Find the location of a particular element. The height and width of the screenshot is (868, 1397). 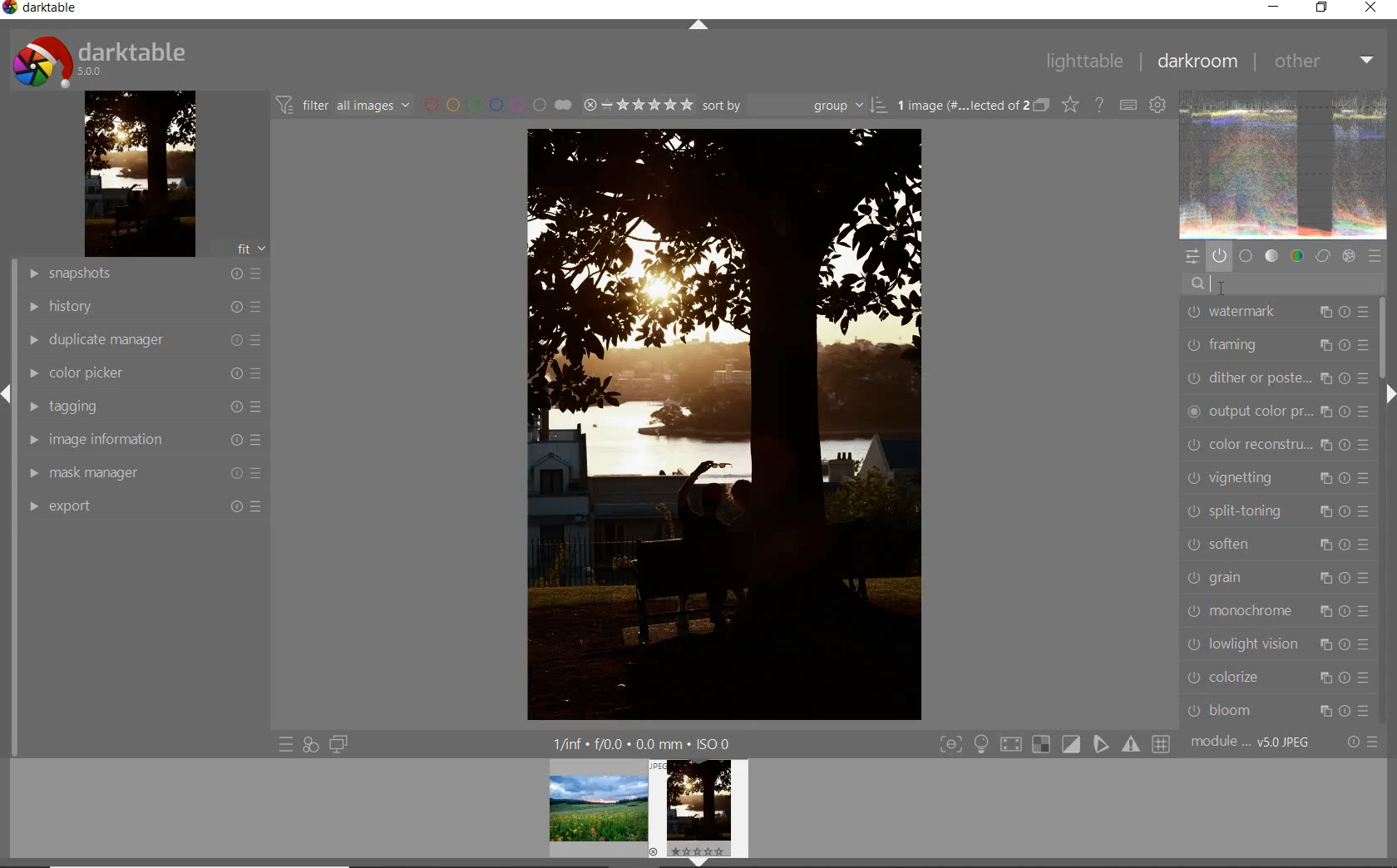

preview image is located at coordinates (648, 811).